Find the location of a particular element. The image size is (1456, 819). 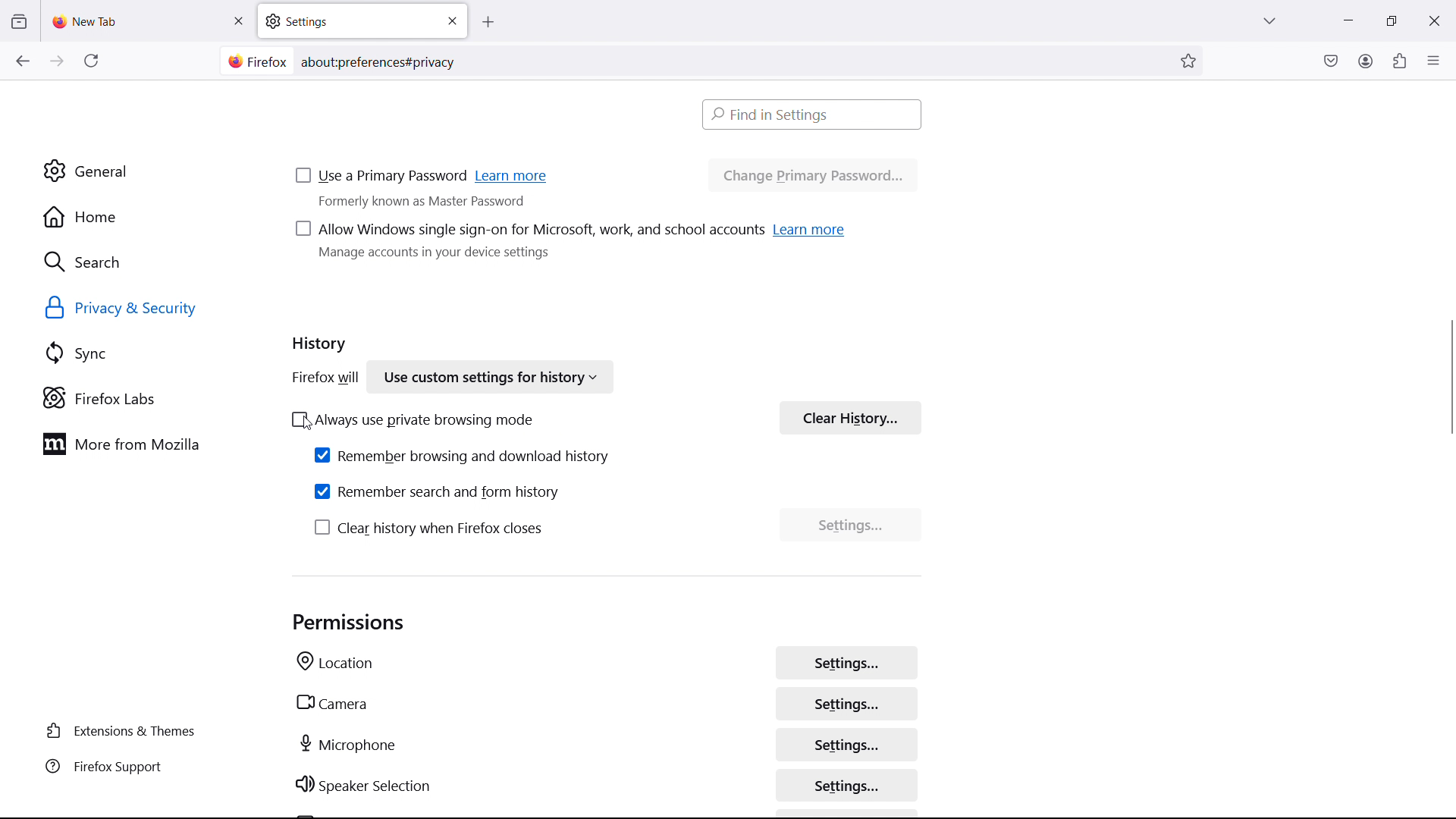

minimize is located at coordinates (1347, 19).